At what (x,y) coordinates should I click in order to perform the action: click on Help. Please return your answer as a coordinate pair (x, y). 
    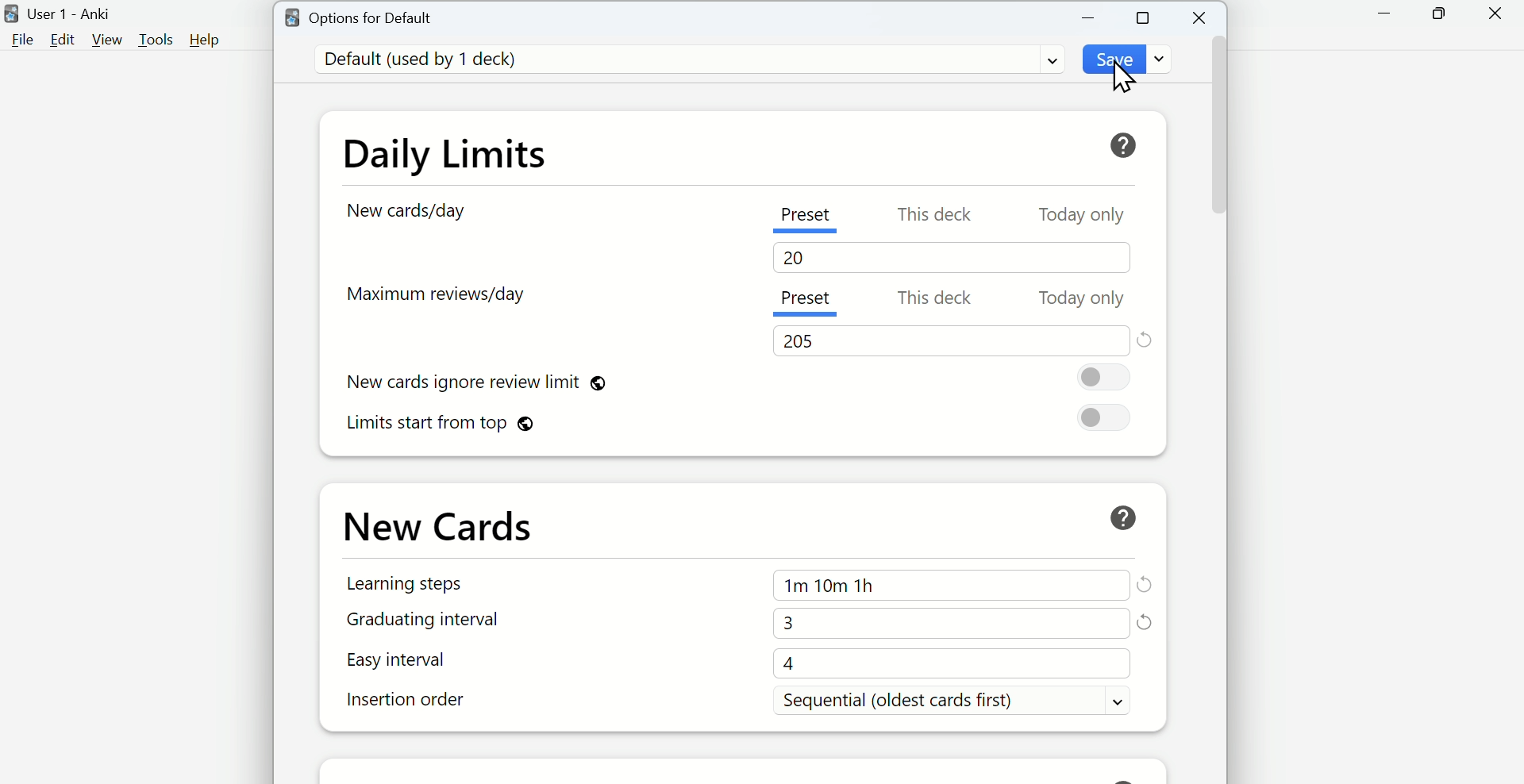
    Looking at the image, I should click on (1130, 141).